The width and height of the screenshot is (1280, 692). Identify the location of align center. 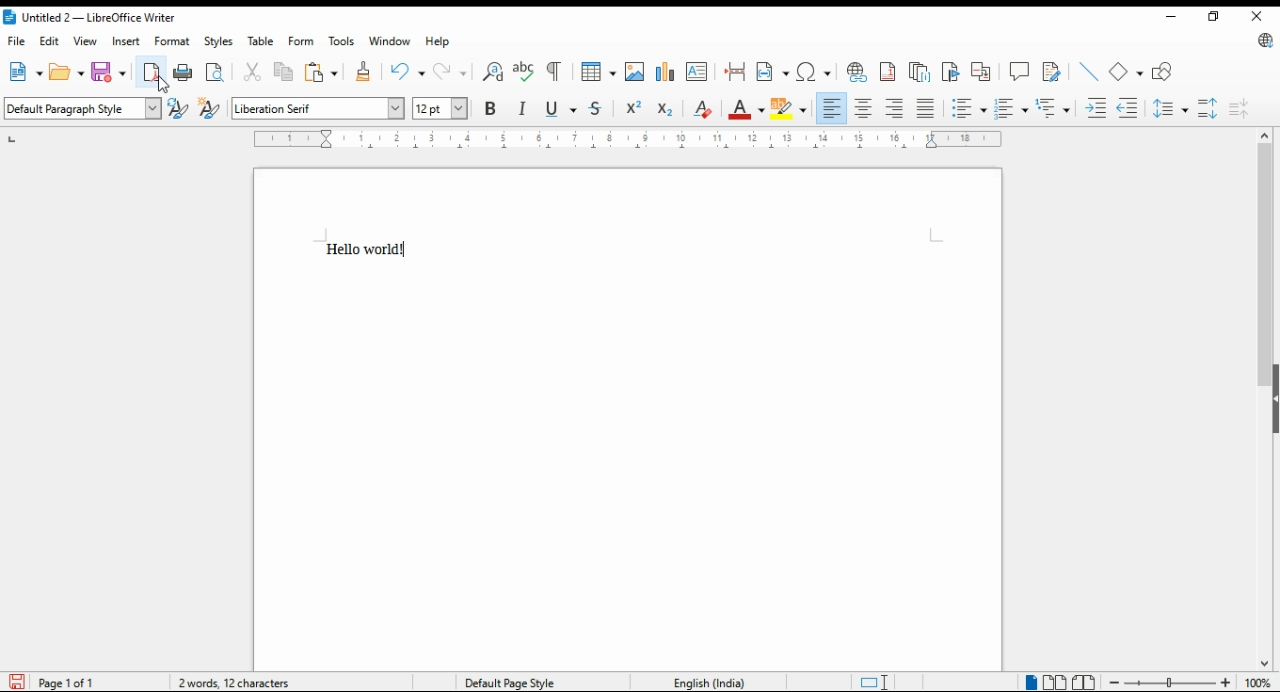
(865, 109).